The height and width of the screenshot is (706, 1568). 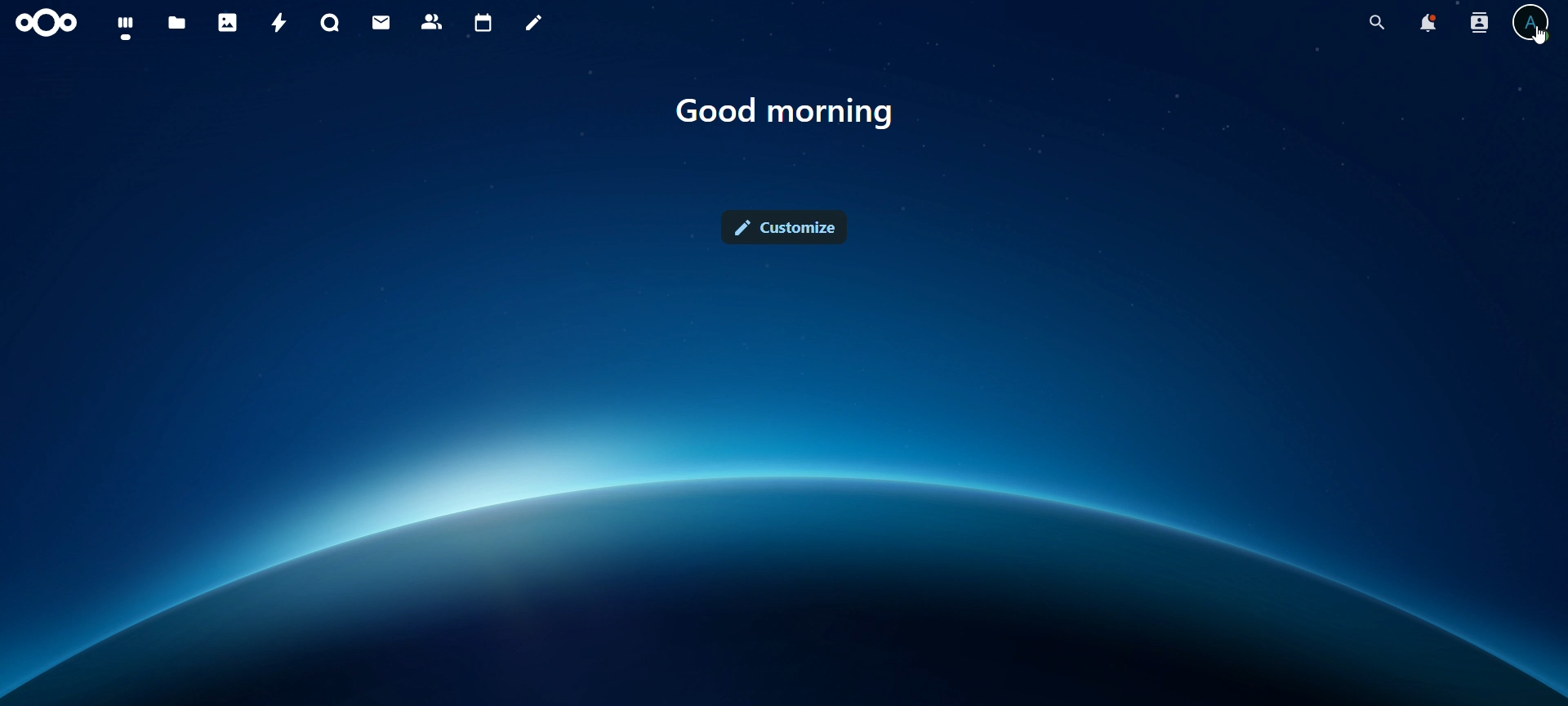 What do you see at coordinates (382, 25) in the screenshot?
I see `mail` at bounding box center [382, 25].